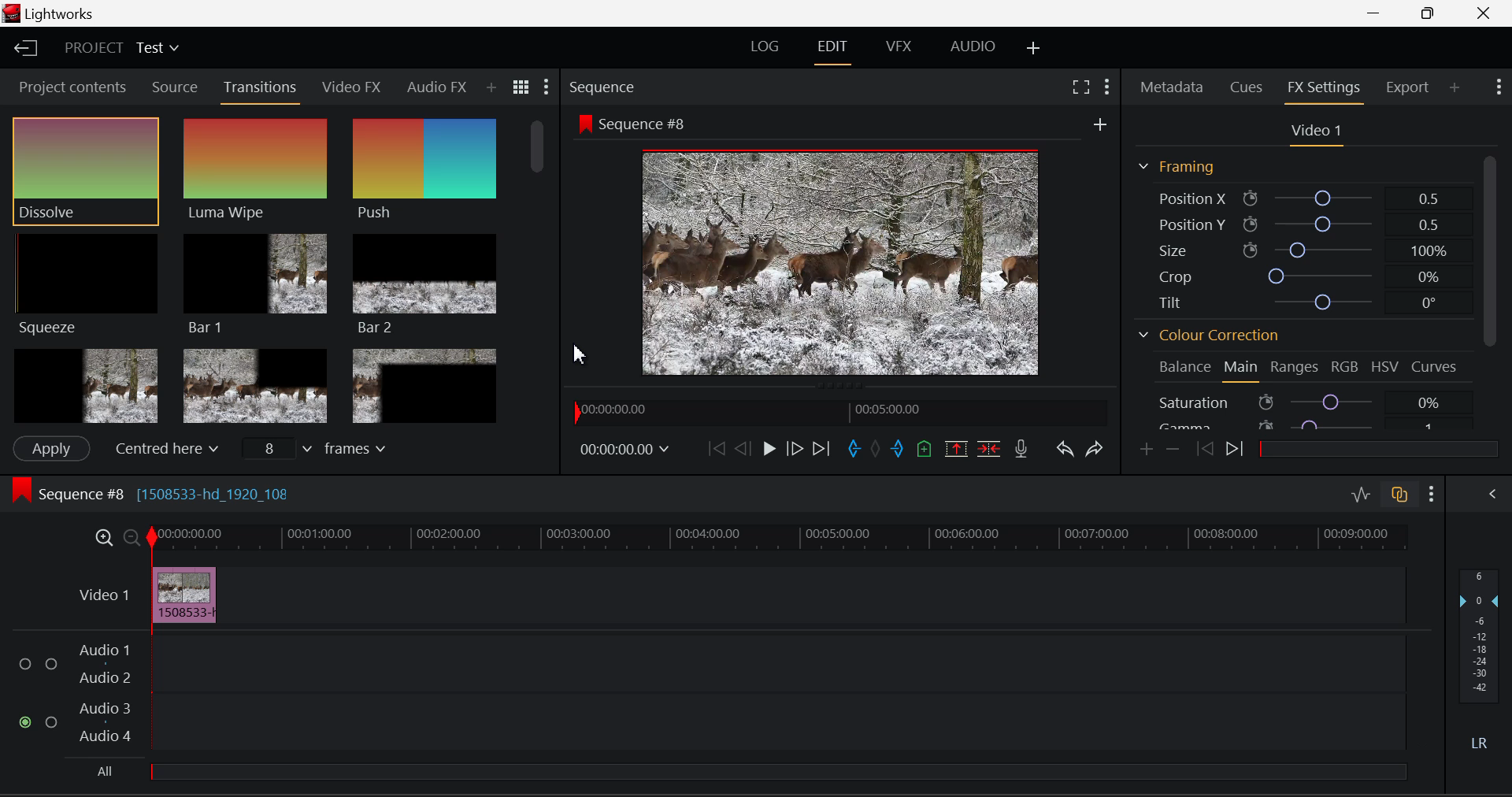 The width and height of the screenshot is (1512, 797). I want to click on Remove all marks, so click(877, 451).